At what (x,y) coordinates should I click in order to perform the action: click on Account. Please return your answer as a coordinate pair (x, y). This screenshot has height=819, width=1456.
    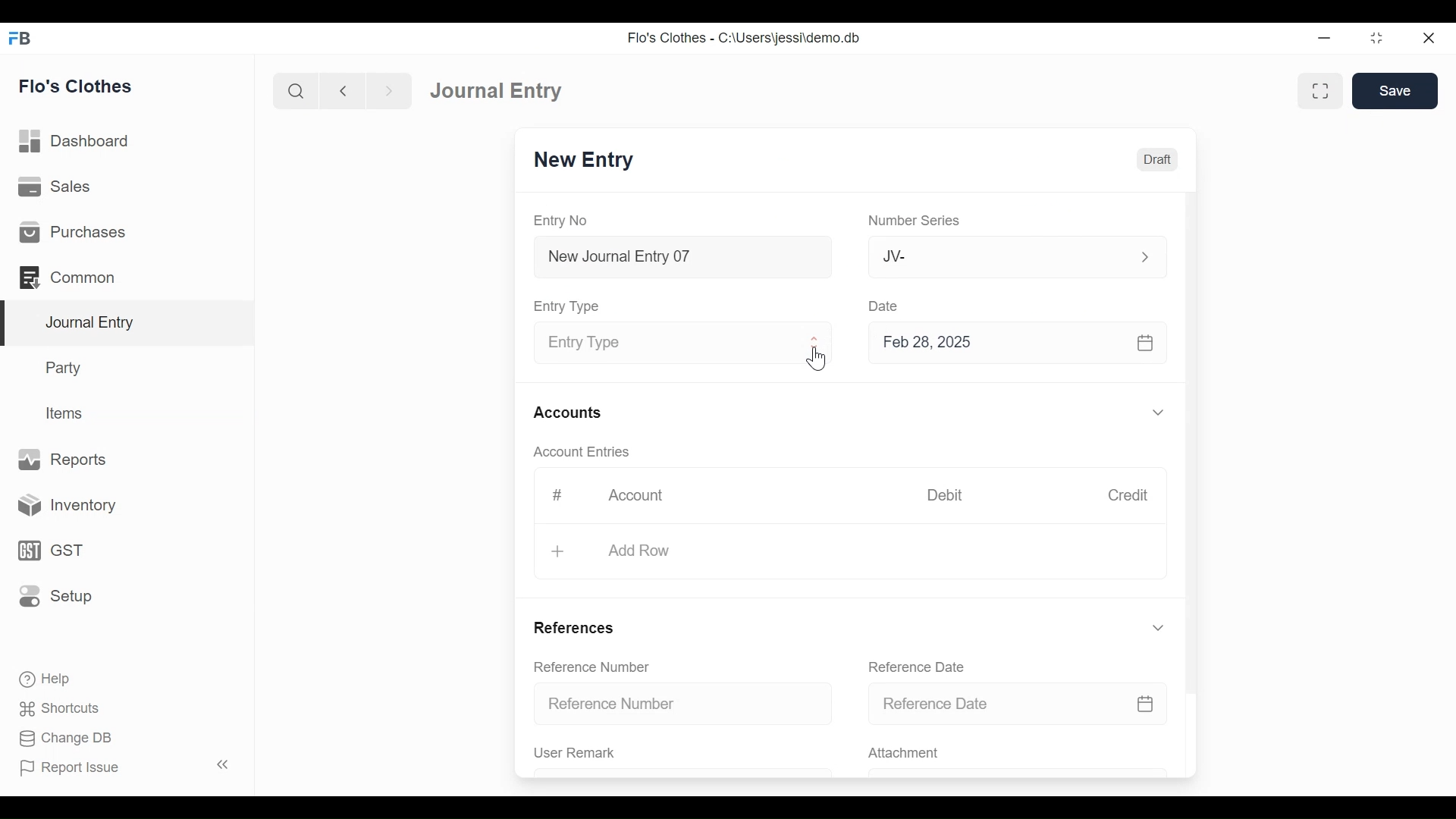
    Looking at the image, I should click on (635, 493).